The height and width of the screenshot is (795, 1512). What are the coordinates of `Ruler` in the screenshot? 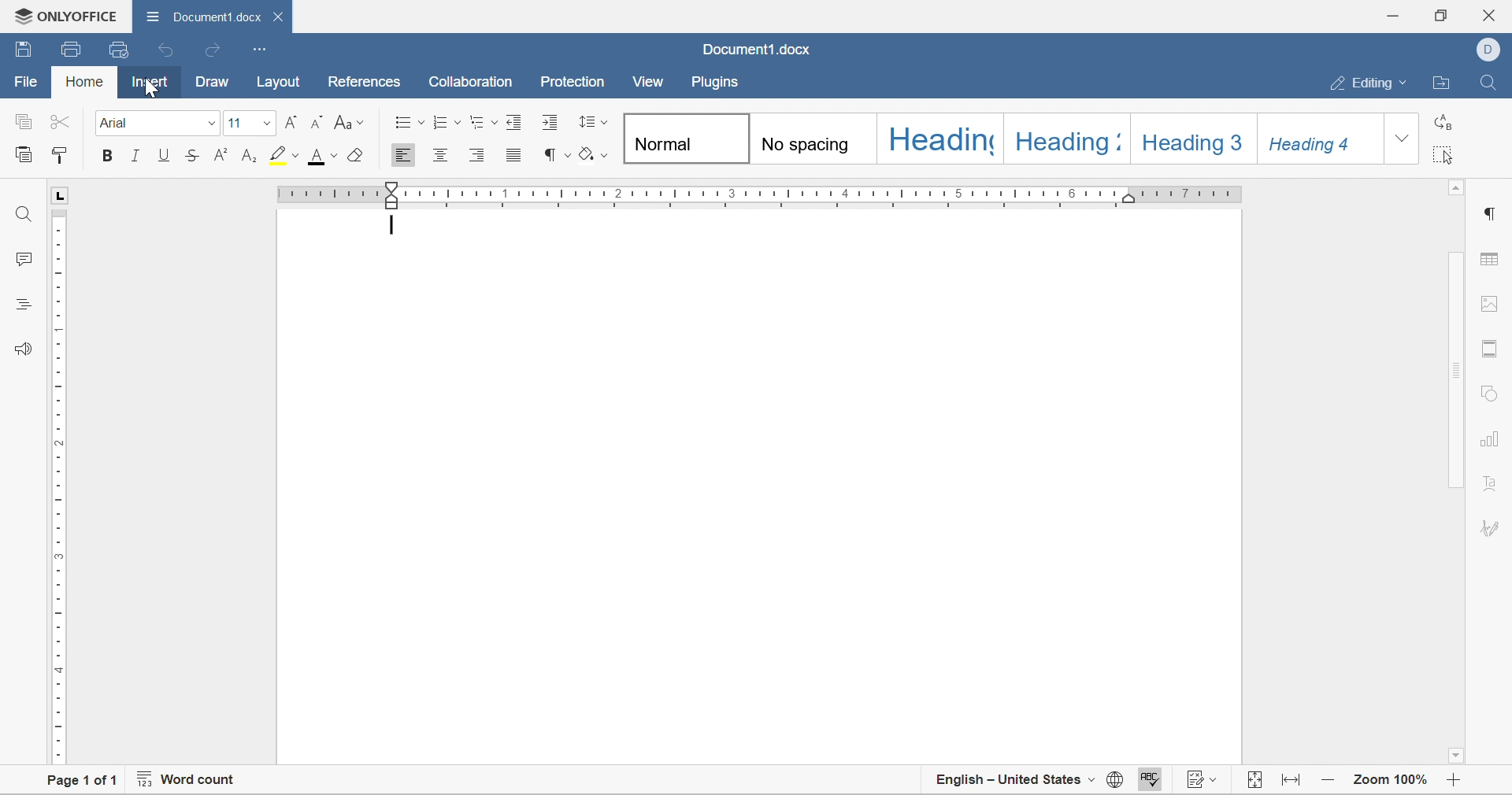 It's located at (55, 488).